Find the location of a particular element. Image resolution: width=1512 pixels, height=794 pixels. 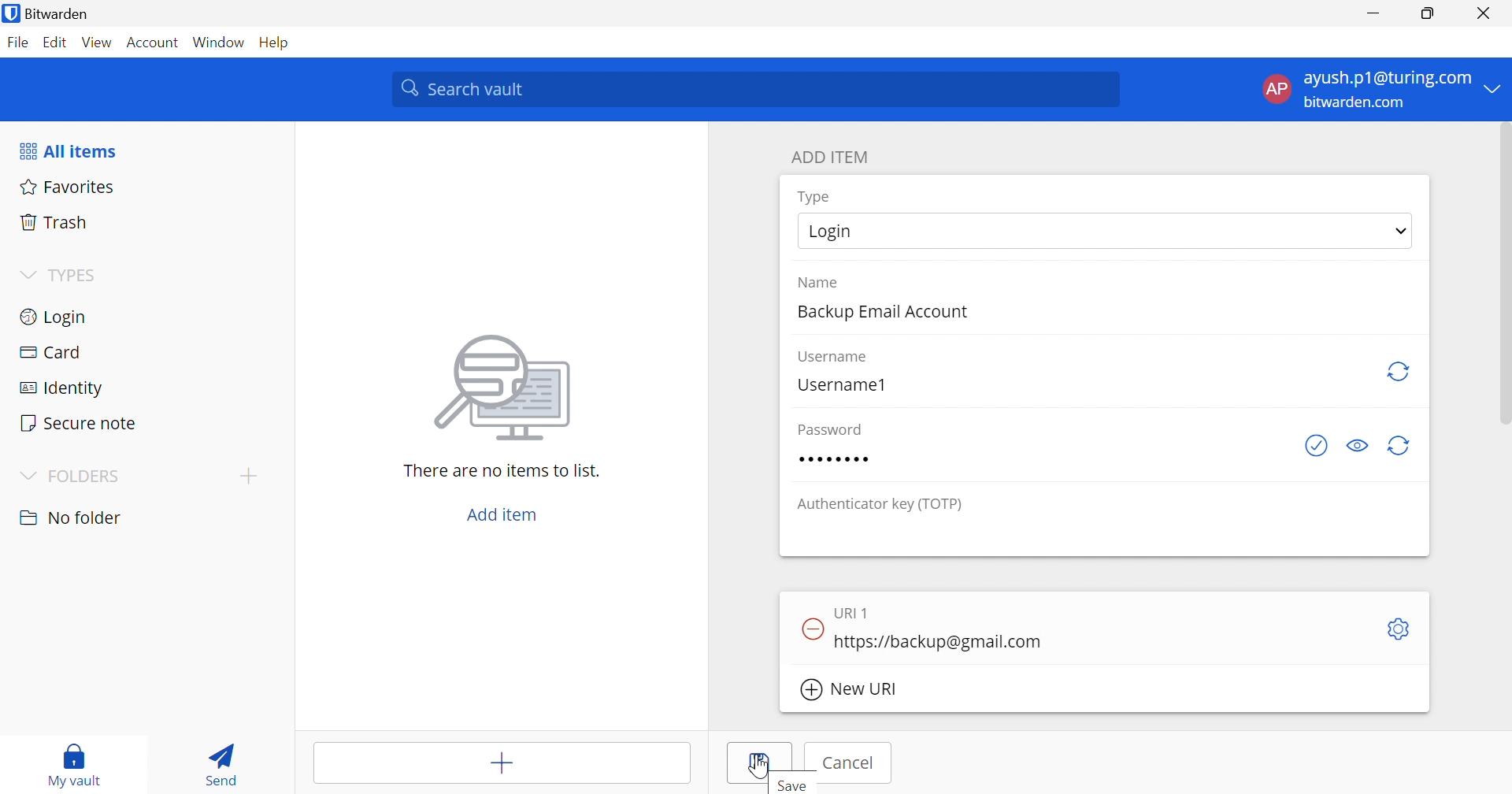

Backup Email Account is located at coordinates (880, 313).